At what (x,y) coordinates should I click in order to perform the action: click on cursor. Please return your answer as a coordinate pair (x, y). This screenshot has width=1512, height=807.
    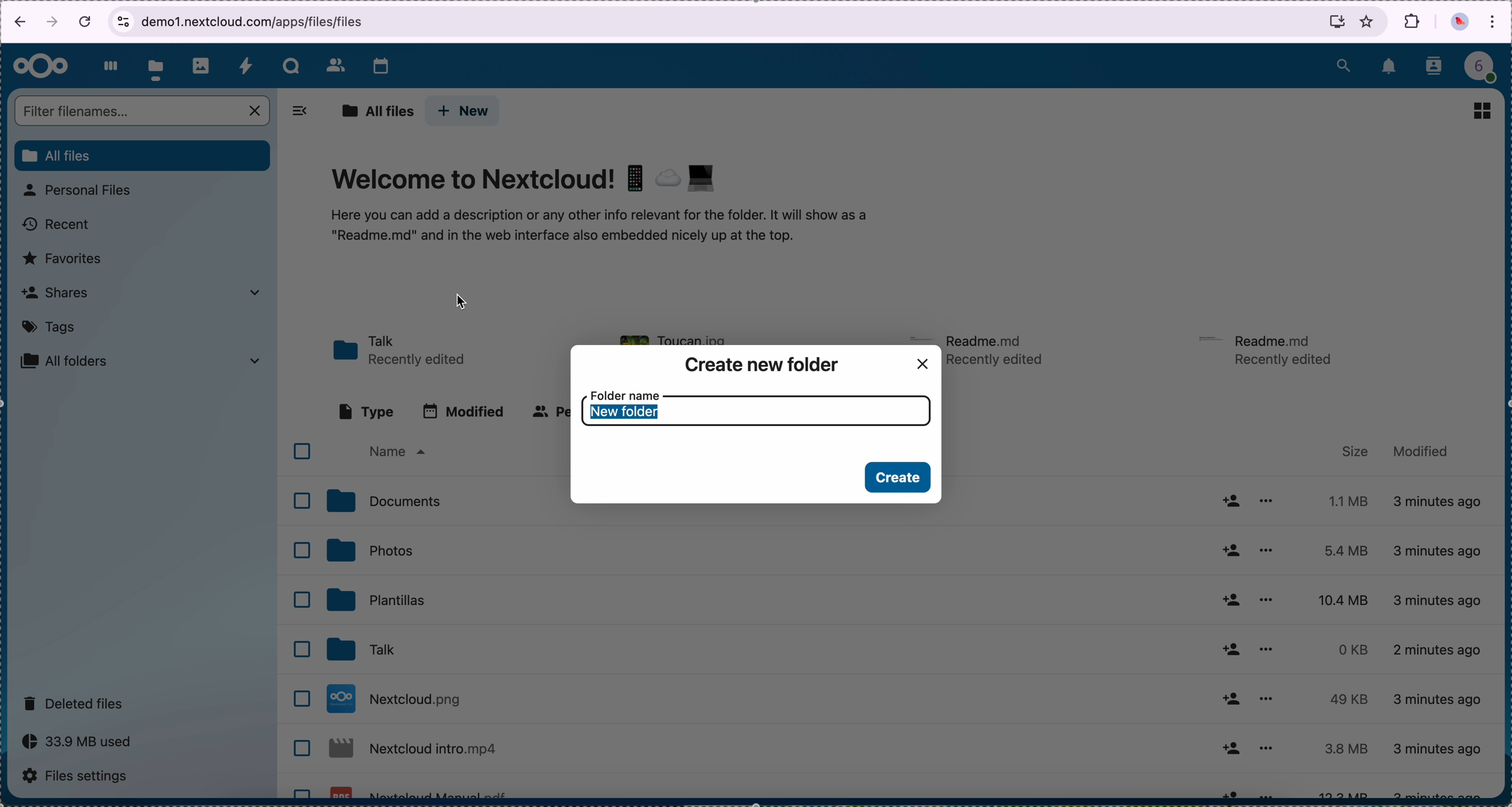
    Looking at the image, I should click on (466, 300).